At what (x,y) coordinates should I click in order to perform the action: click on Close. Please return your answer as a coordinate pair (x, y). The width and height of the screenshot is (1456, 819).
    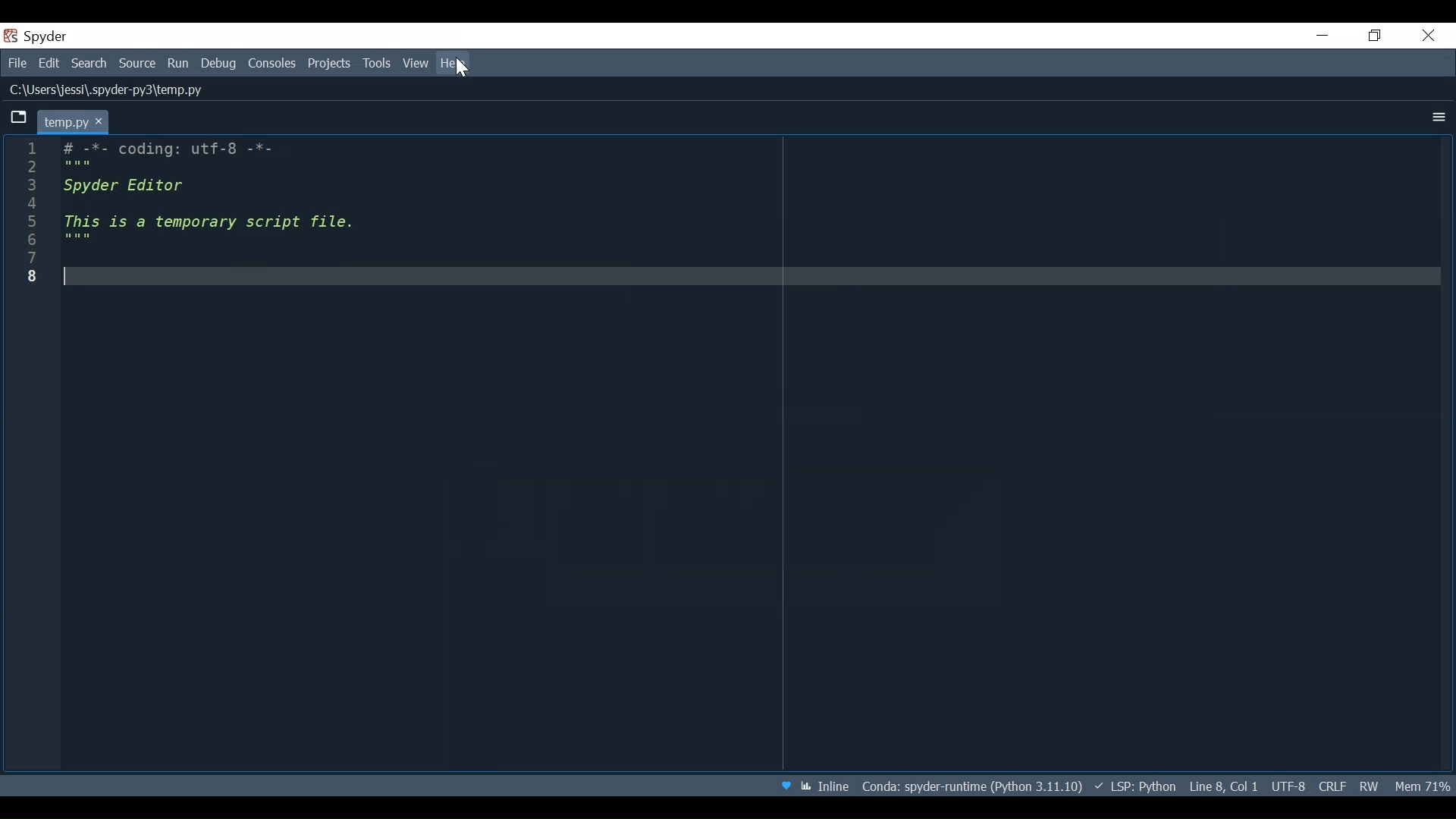
    Looking at the image, I should click on (1428, 36).